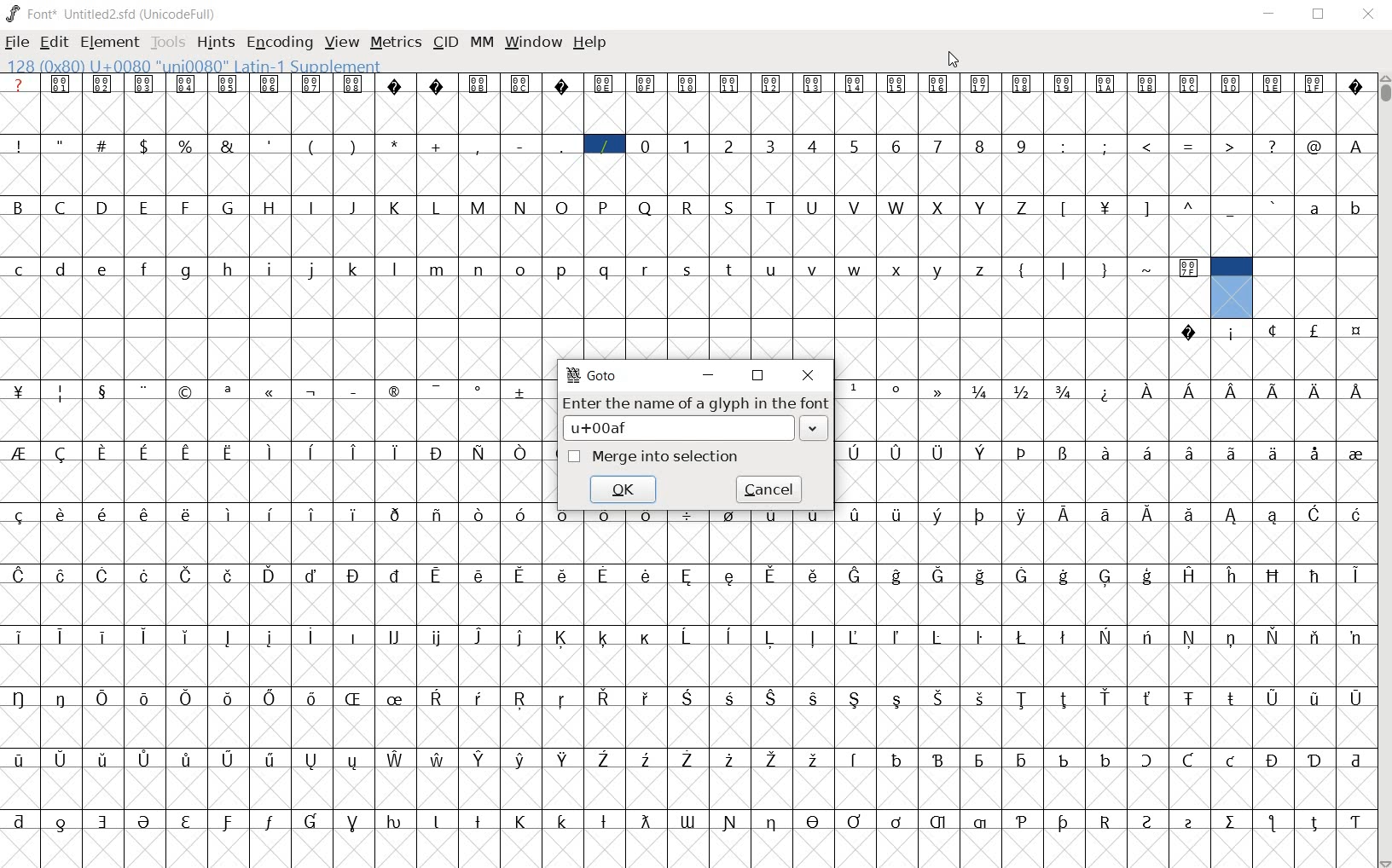  I want to click on Symbol, so click(353, 391).